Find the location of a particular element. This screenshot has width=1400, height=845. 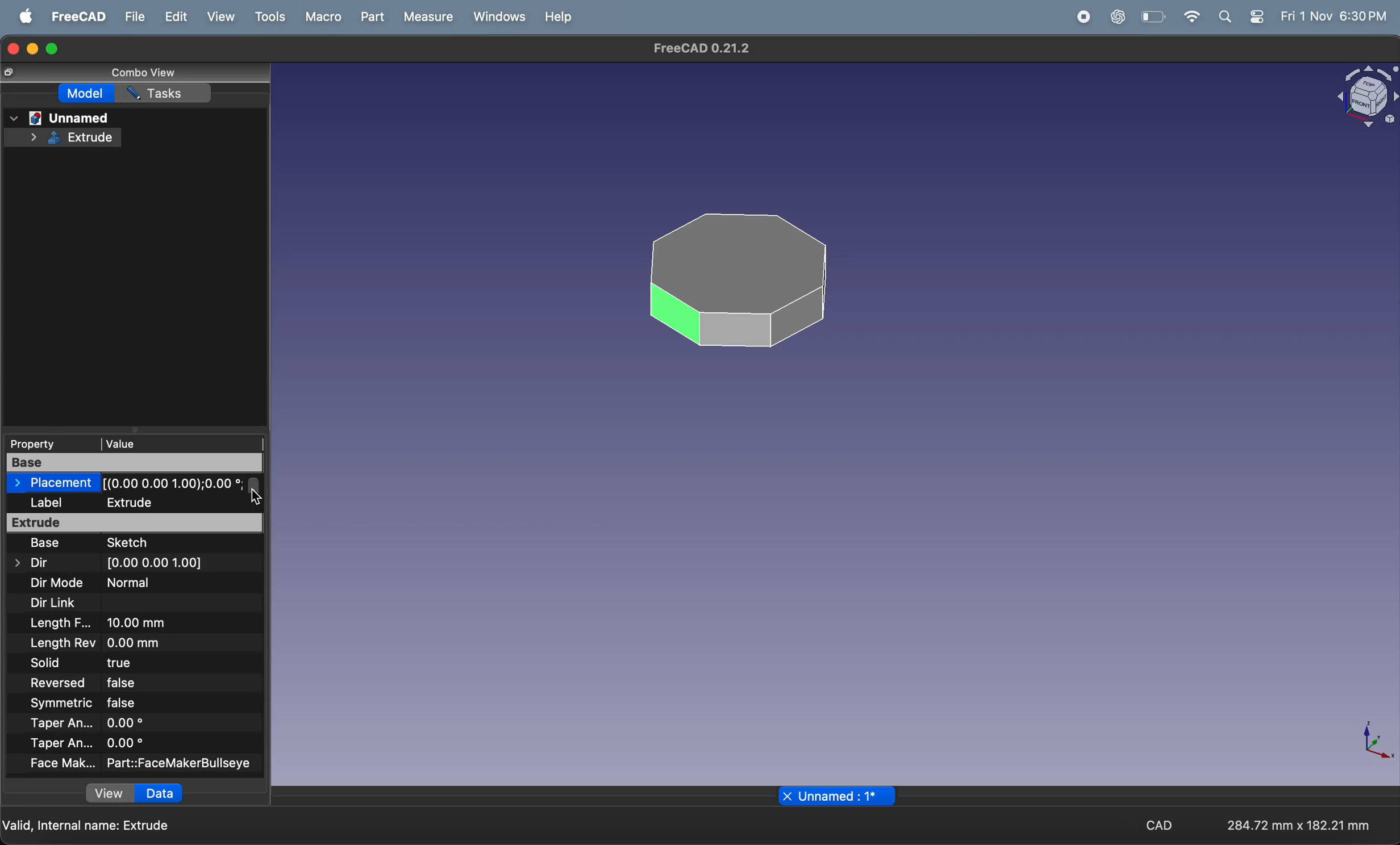

maximize is located at coordinates (57, 47).